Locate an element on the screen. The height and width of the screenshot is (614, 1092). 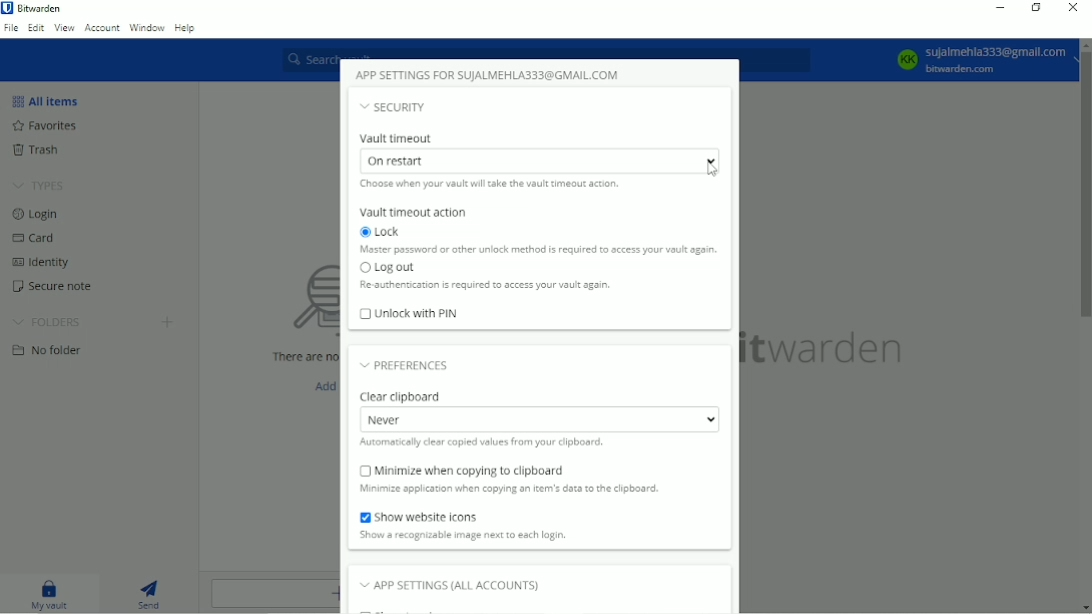
Clear clipboard is located at coordinates (403, 396).